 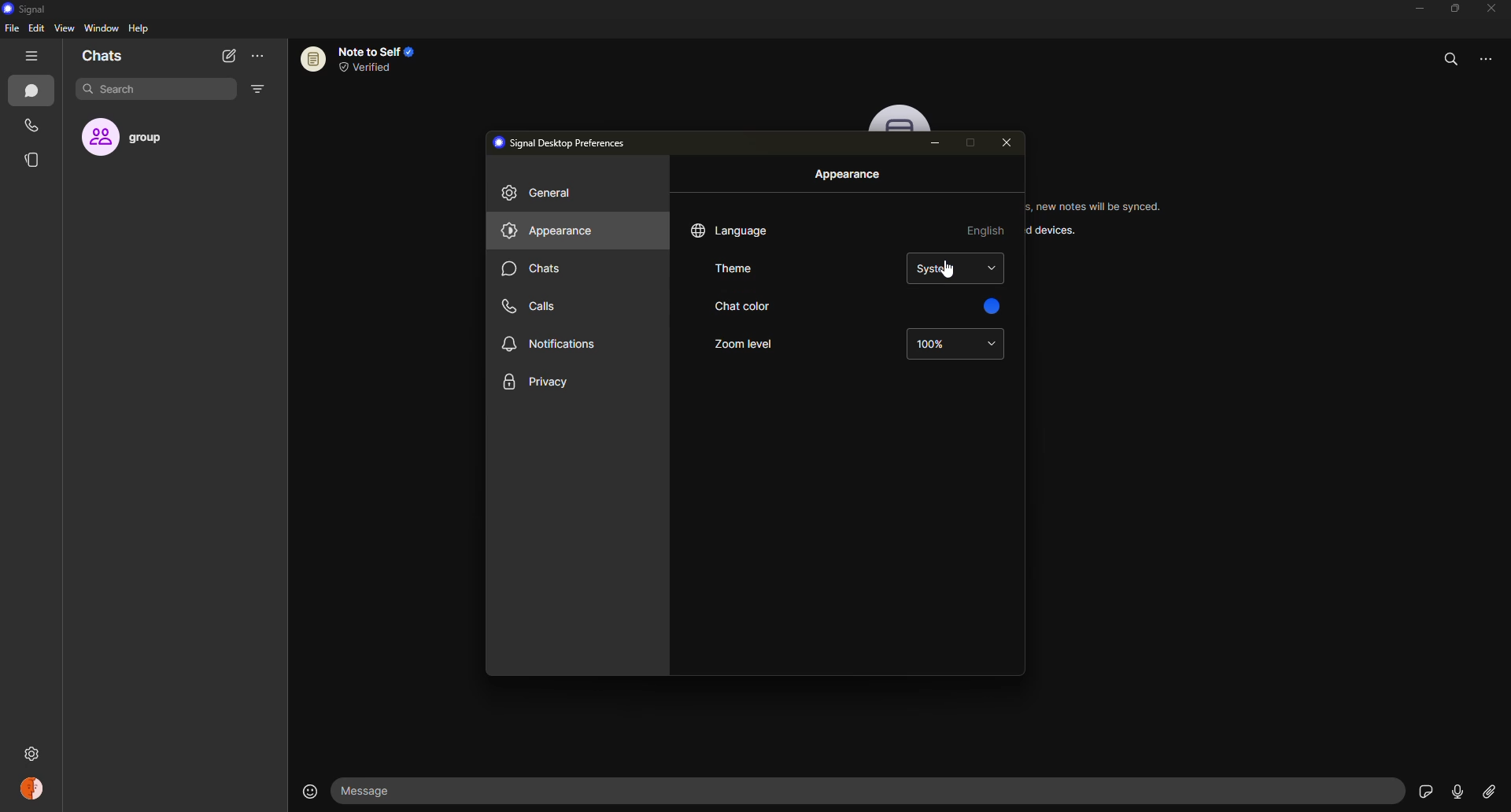 I want to click on minimize, so click(x=937, y=142).